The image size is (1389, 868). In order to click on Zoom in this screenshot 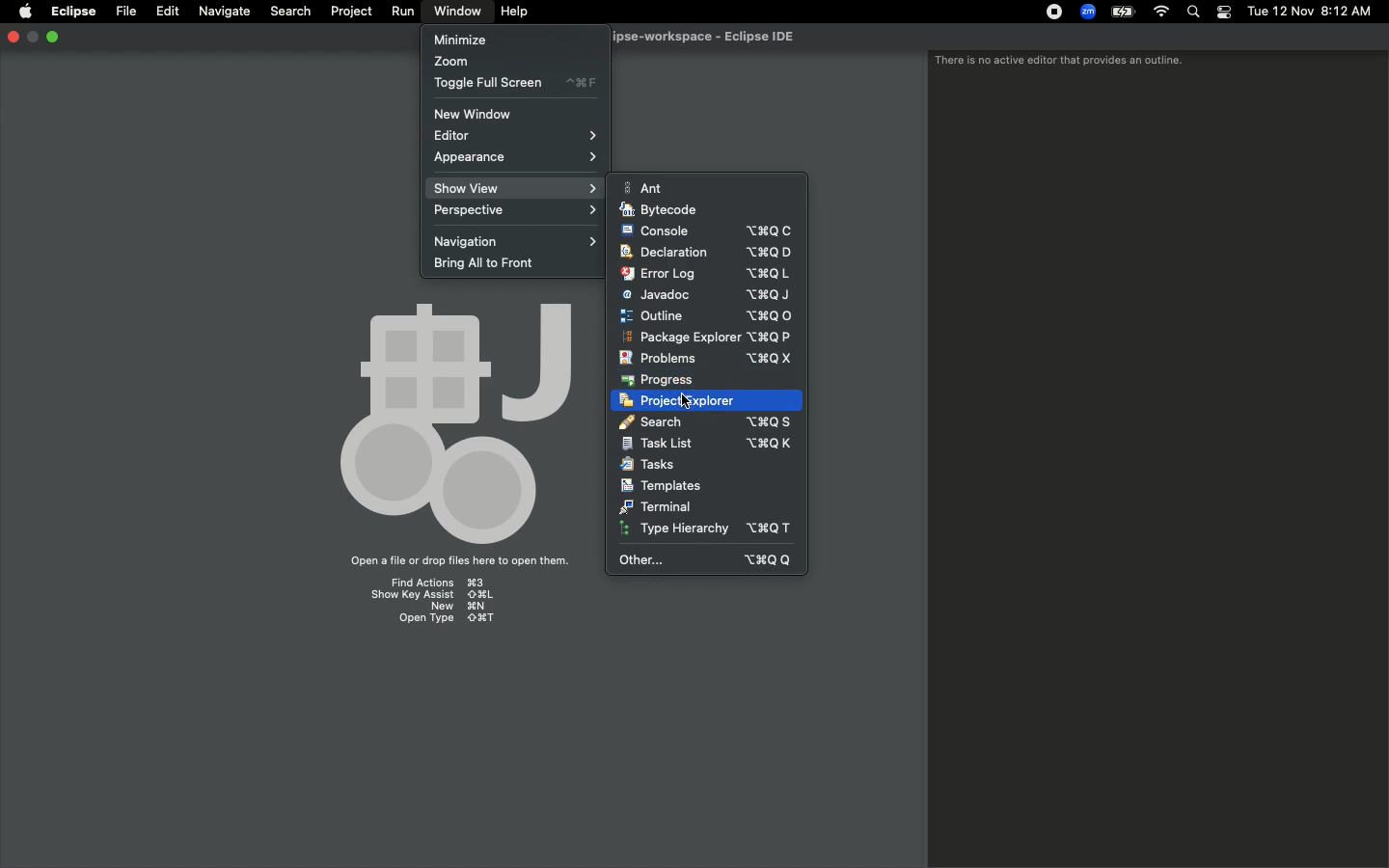, I will do `click(449, 61)`.